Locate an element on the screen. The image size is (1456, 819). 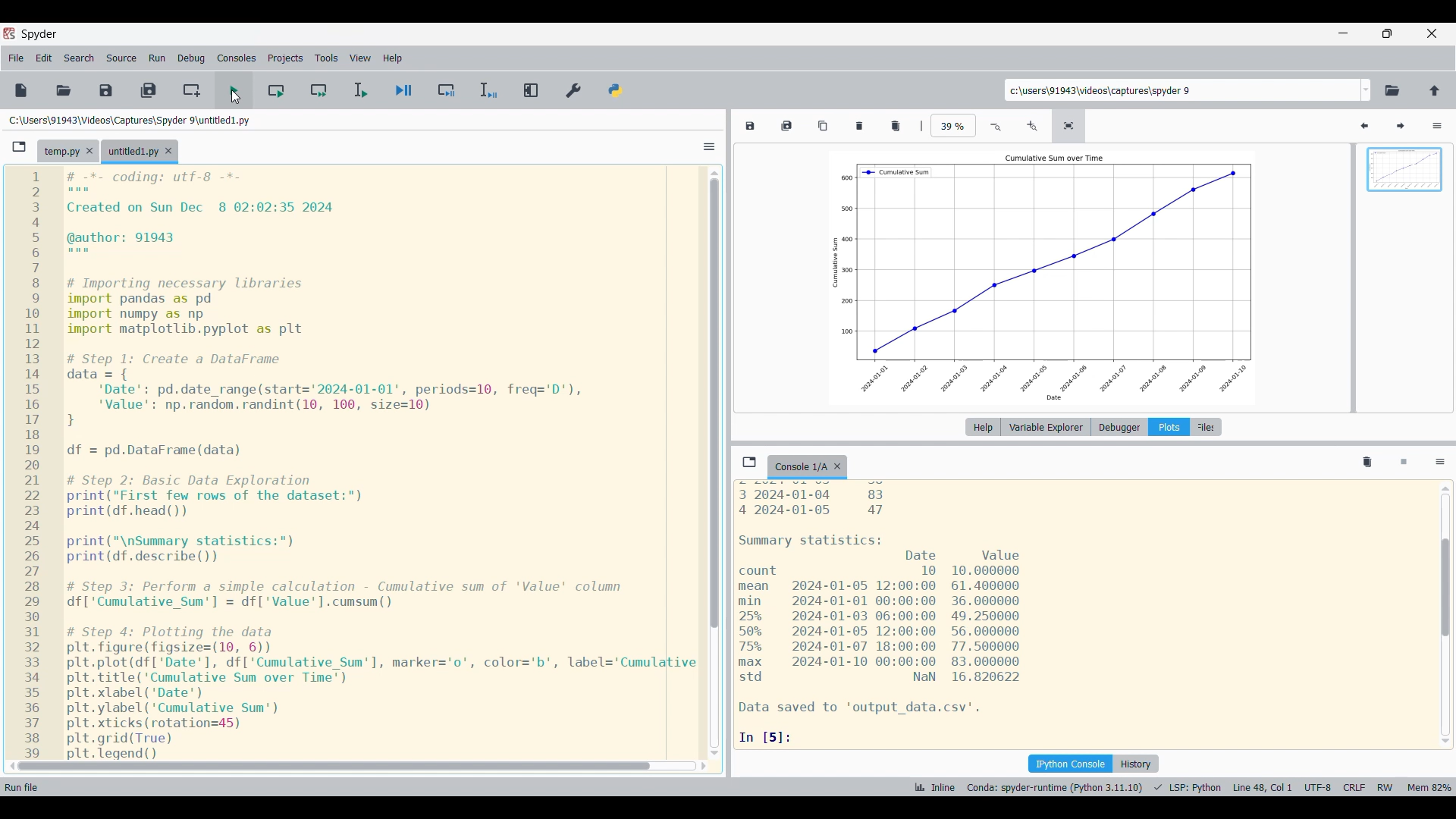
Help is located at coordinates (984, 427).